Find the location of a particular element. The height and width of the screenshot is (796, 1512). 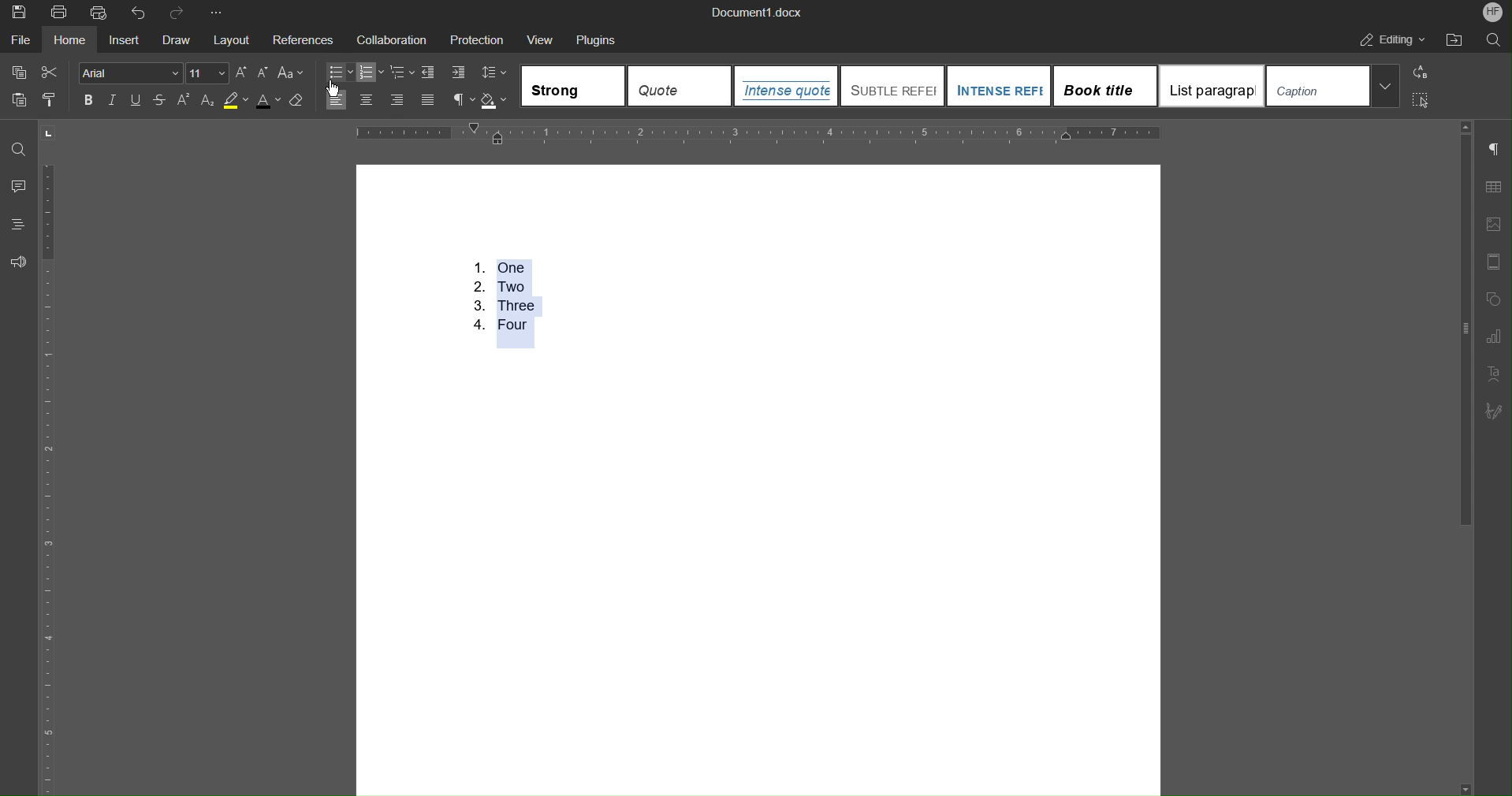

File is located at coordinates (20, 39).